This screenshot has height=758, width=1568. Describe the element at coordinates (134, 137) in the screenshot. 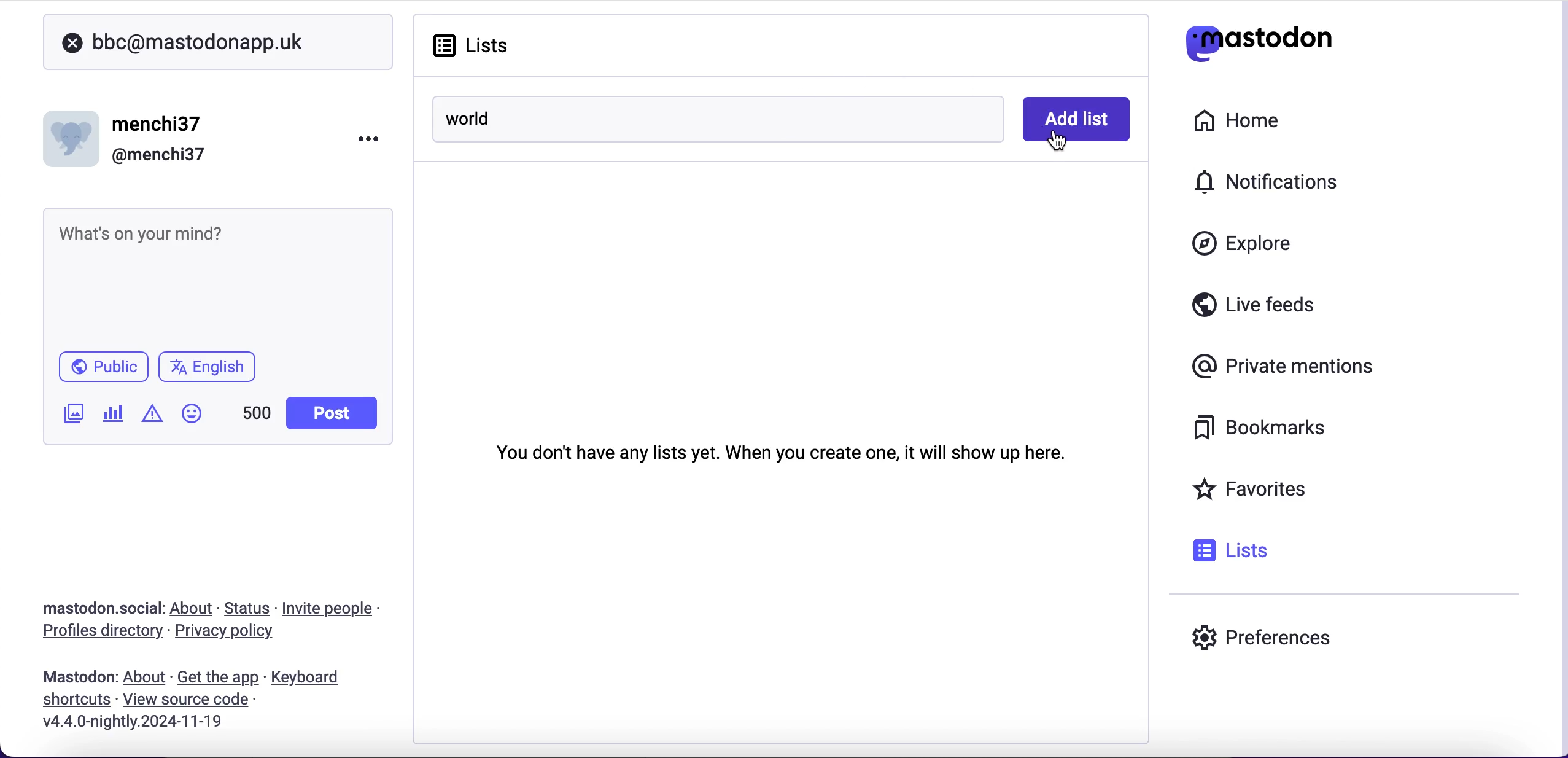

I see `user name` at that location.